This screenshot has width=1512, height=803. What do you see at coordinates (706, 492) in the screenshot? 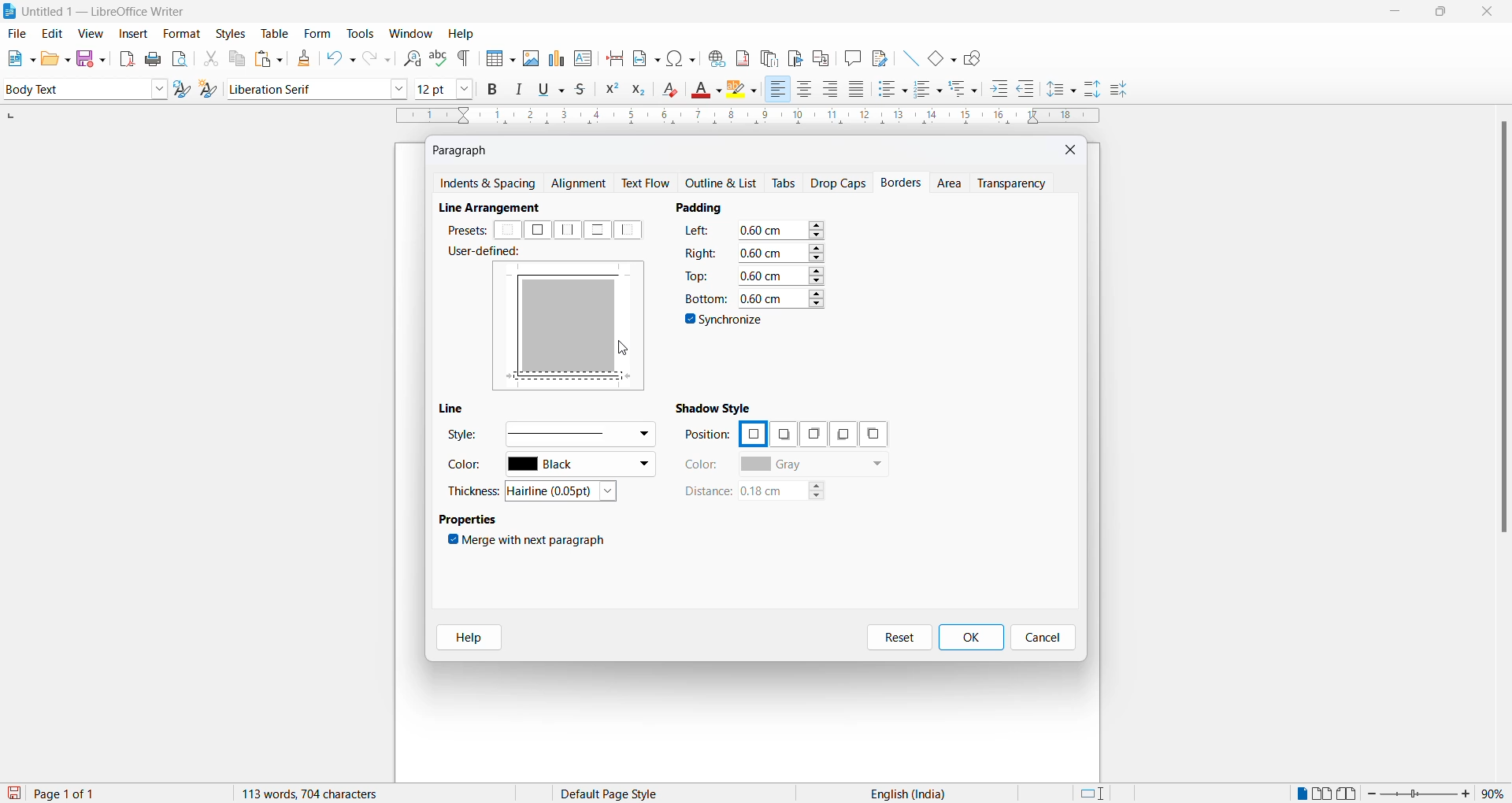
I see `distance` at bounding box center [706, 492].